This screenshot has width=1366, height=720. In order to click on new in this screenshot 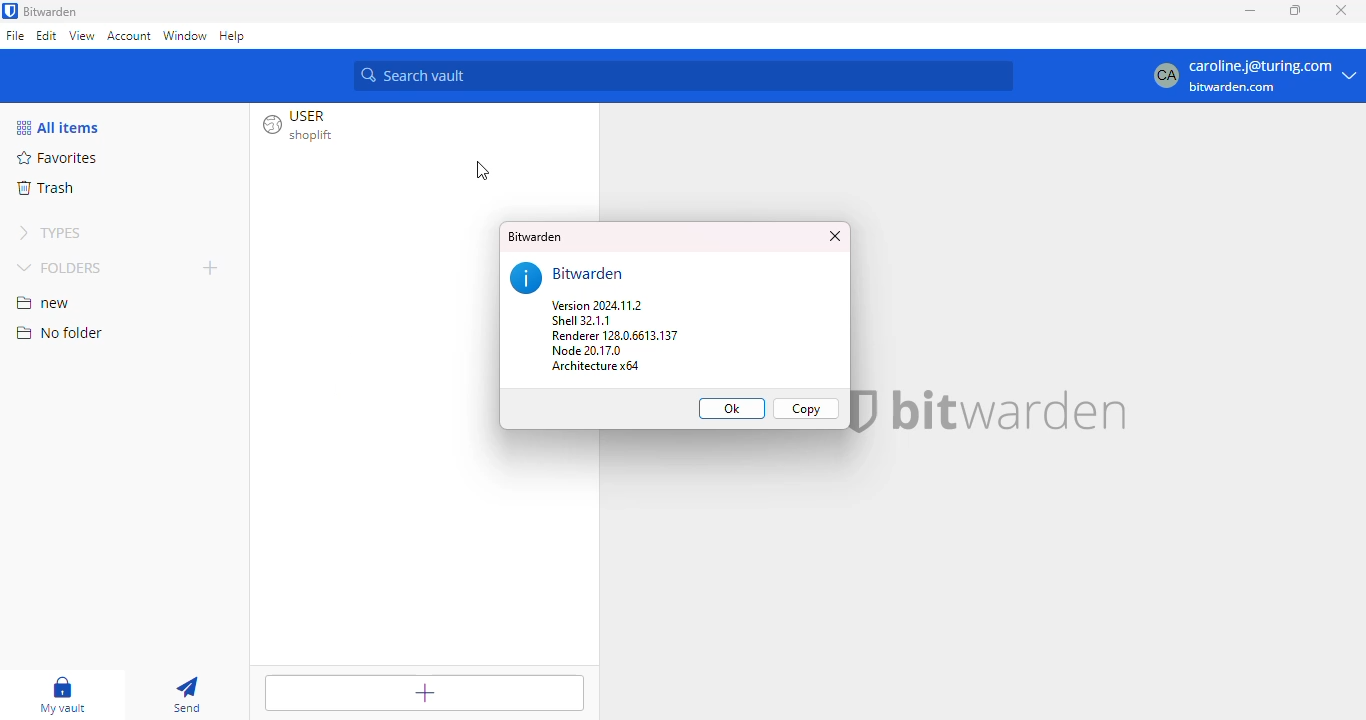, I will do `click(44, 303)`.